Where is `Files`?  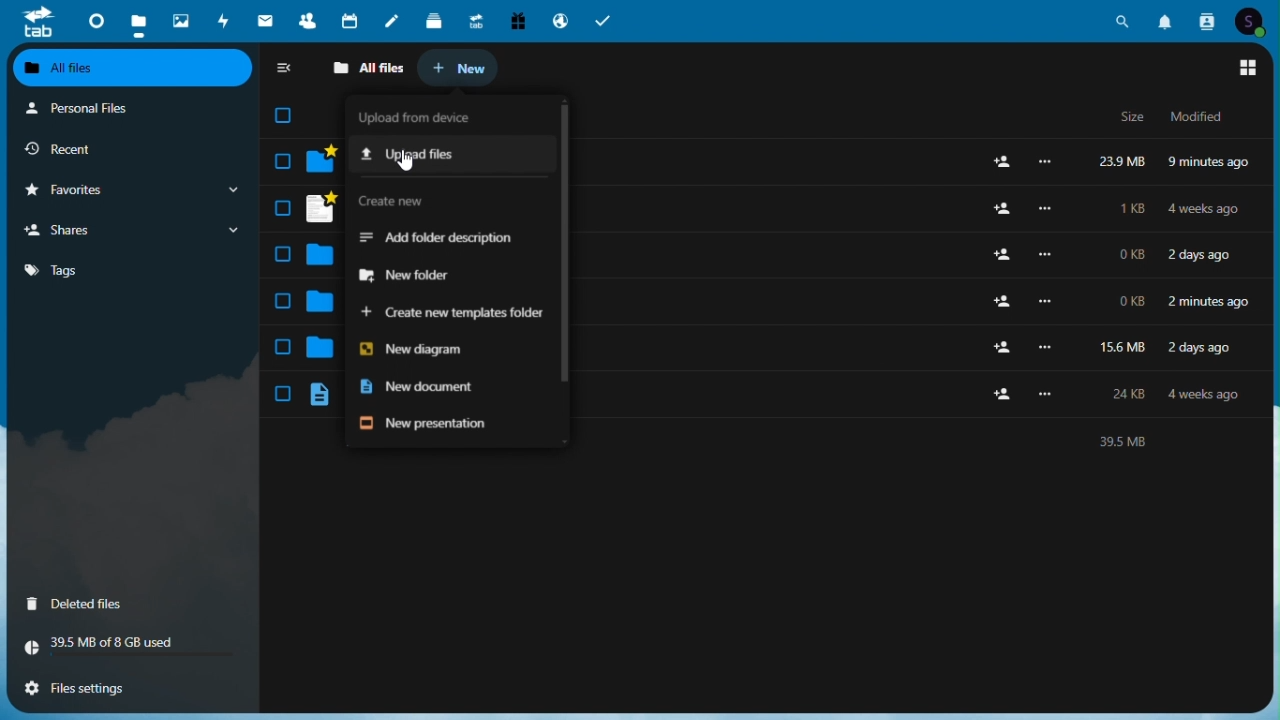 Files is located at coordinates (1108, 257).